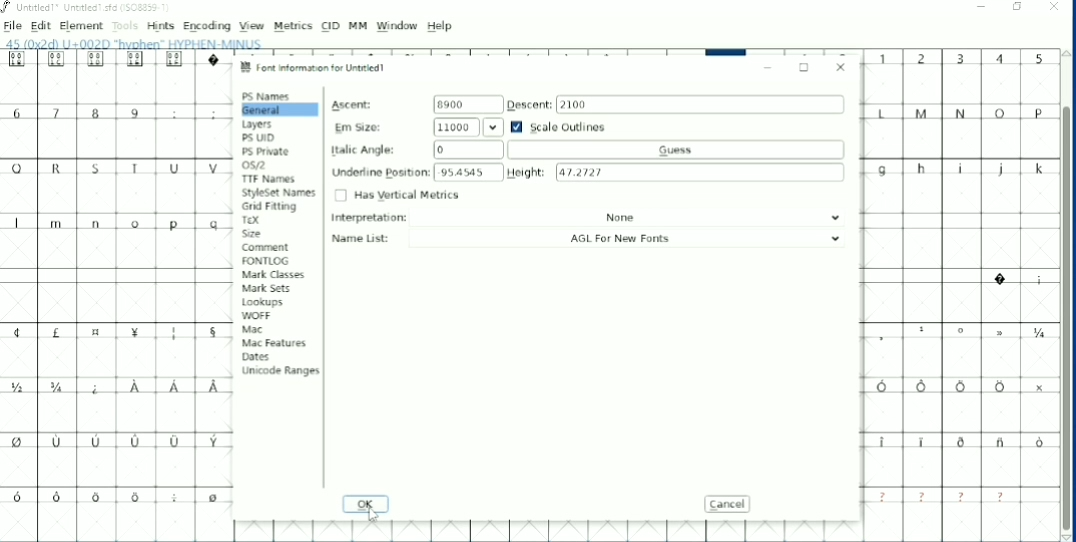 This screenshot has height=542, width=1076. What do you see at coordinates (252, 220) in the screenshot?
I see `TEX` at bounding box center [252, 220].